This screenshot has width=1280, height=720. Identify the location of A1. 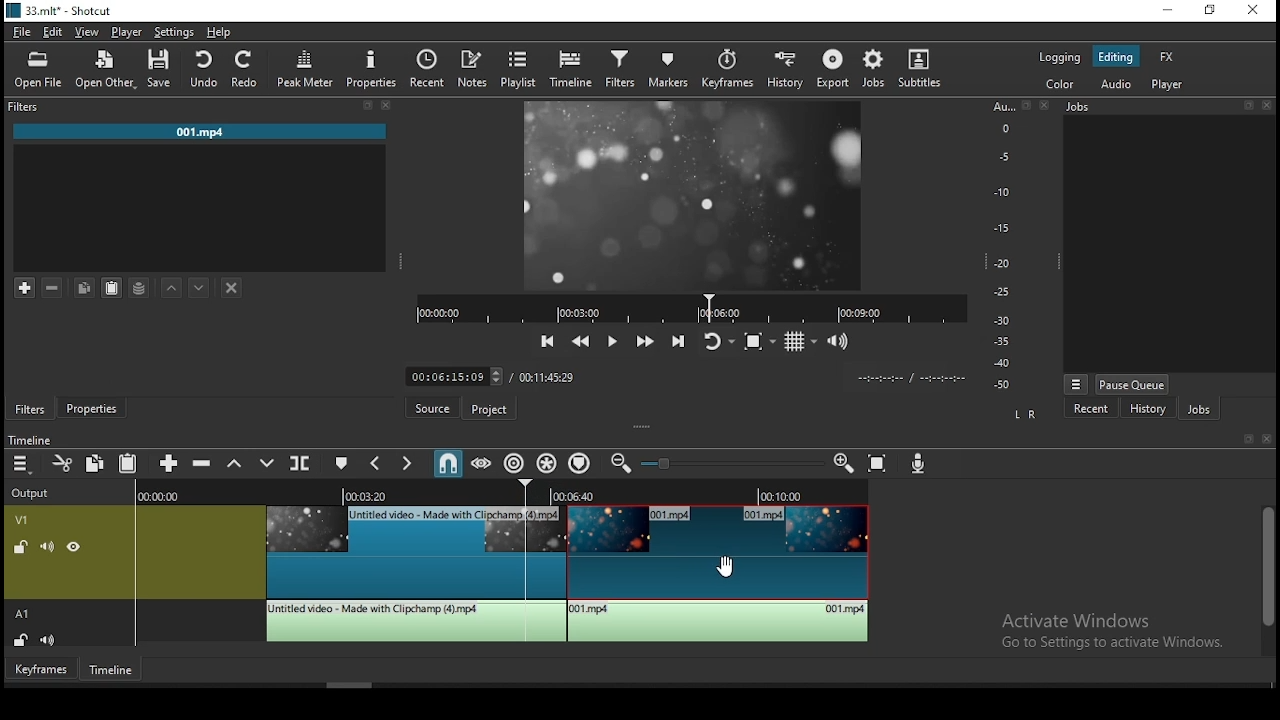
(26, 614).